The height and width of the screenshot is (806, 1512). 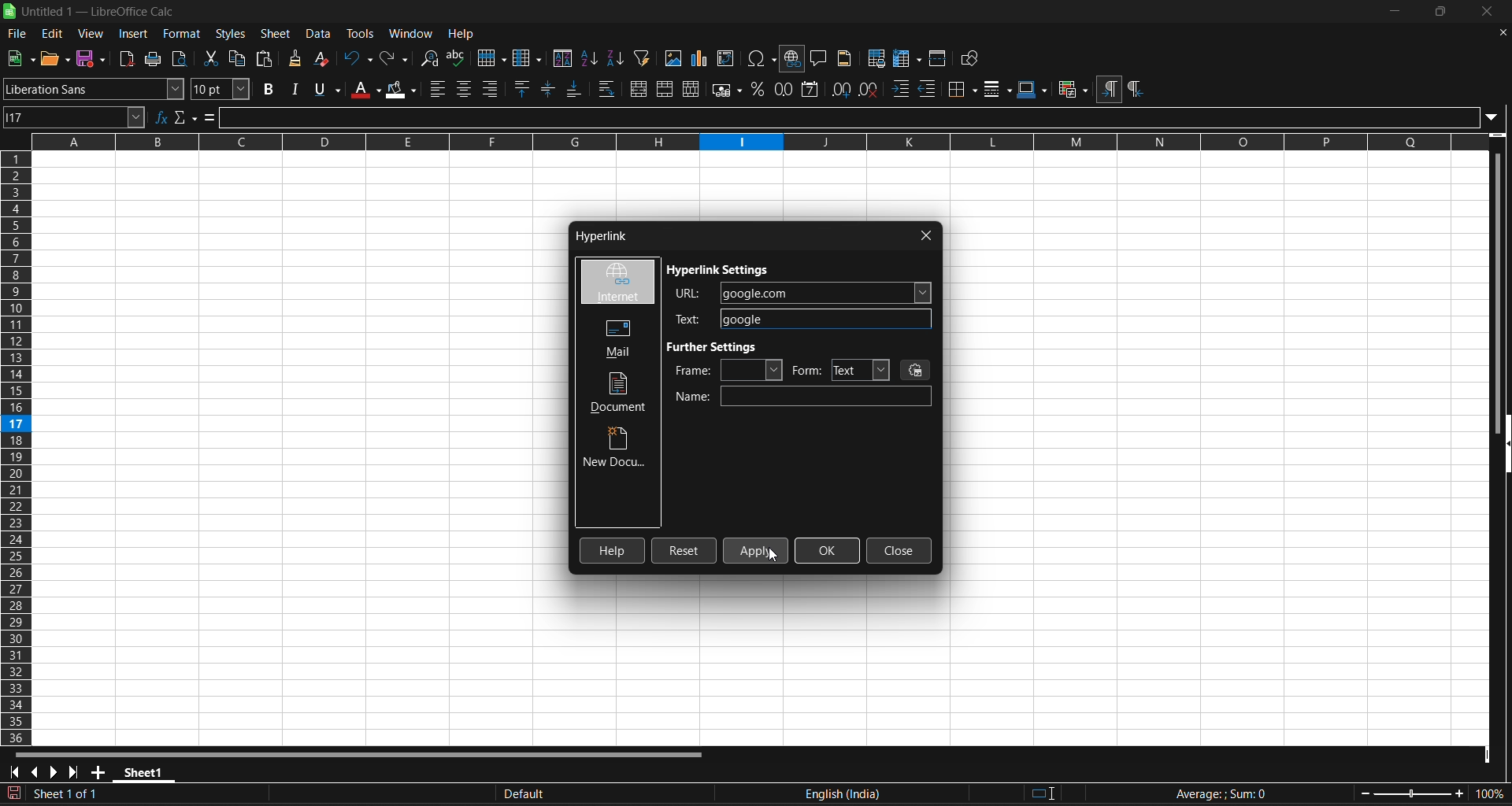 I want to click on scroll to last sheet , so click(x=73, y=773).